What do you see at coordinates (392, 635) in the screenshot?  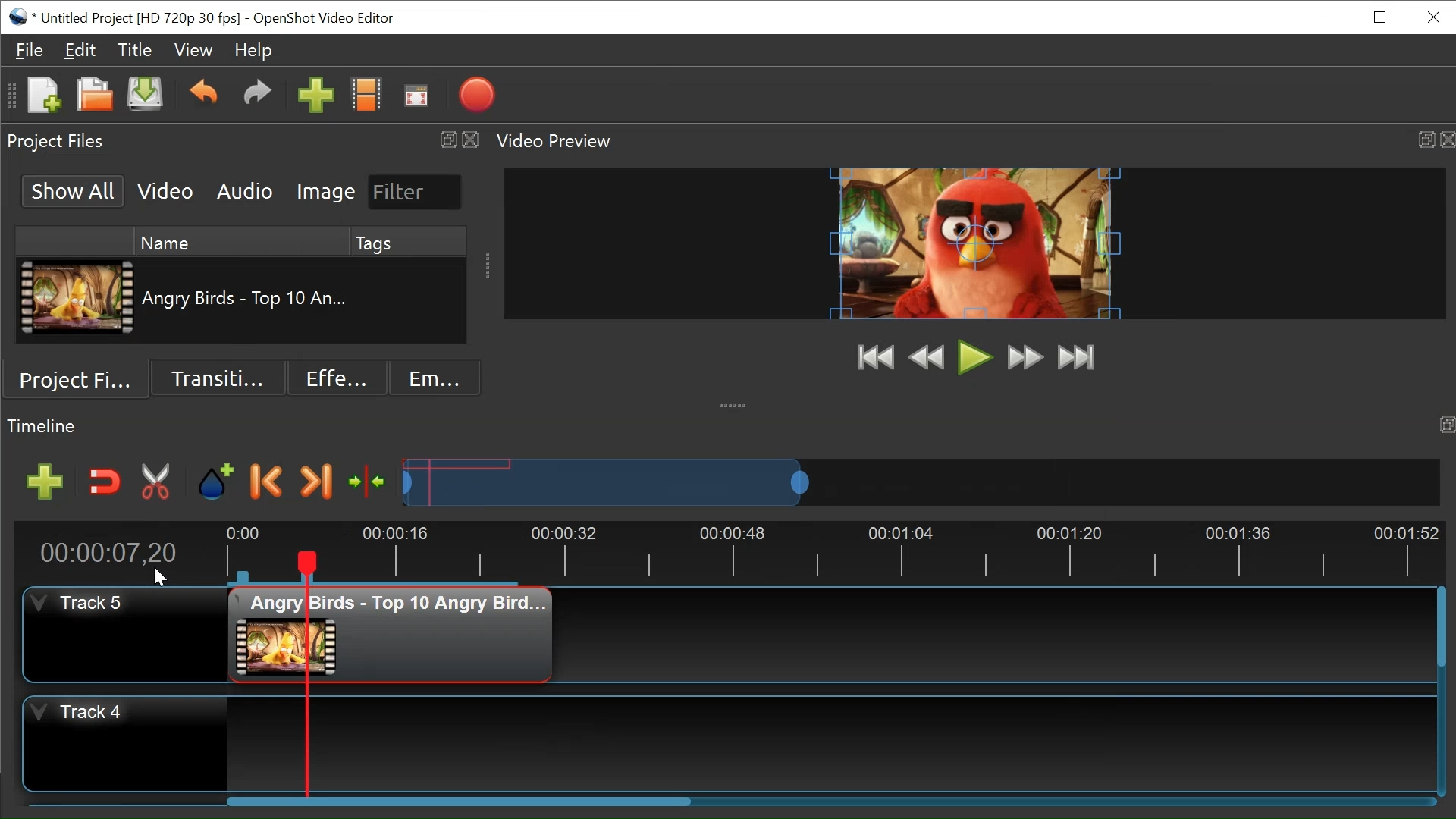 I see `Clip at the timeline` at bounding box center [392, 635].